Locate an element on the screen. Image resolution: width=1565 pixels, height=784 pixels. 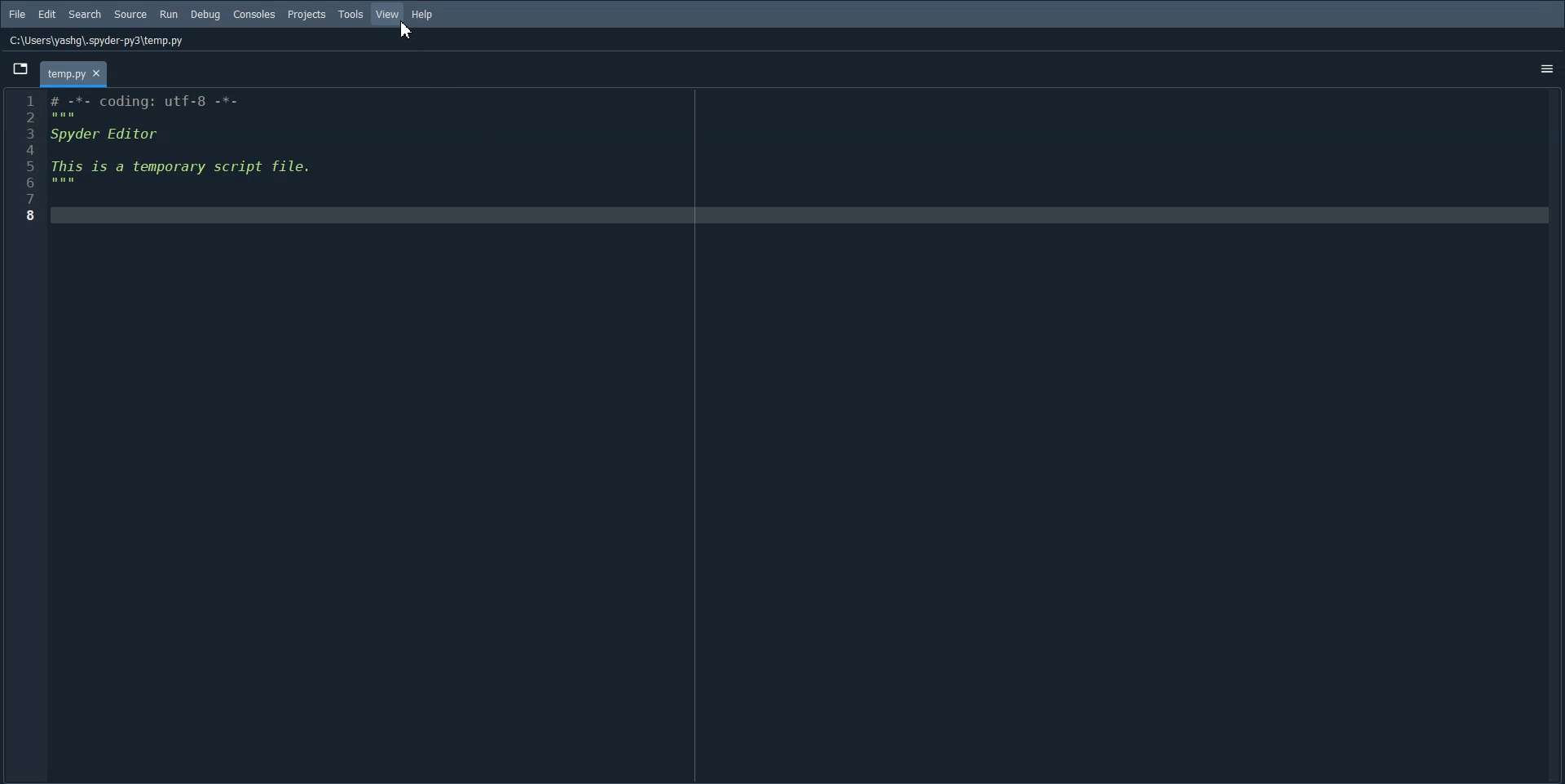
Run is located at coordinates (169, 15).